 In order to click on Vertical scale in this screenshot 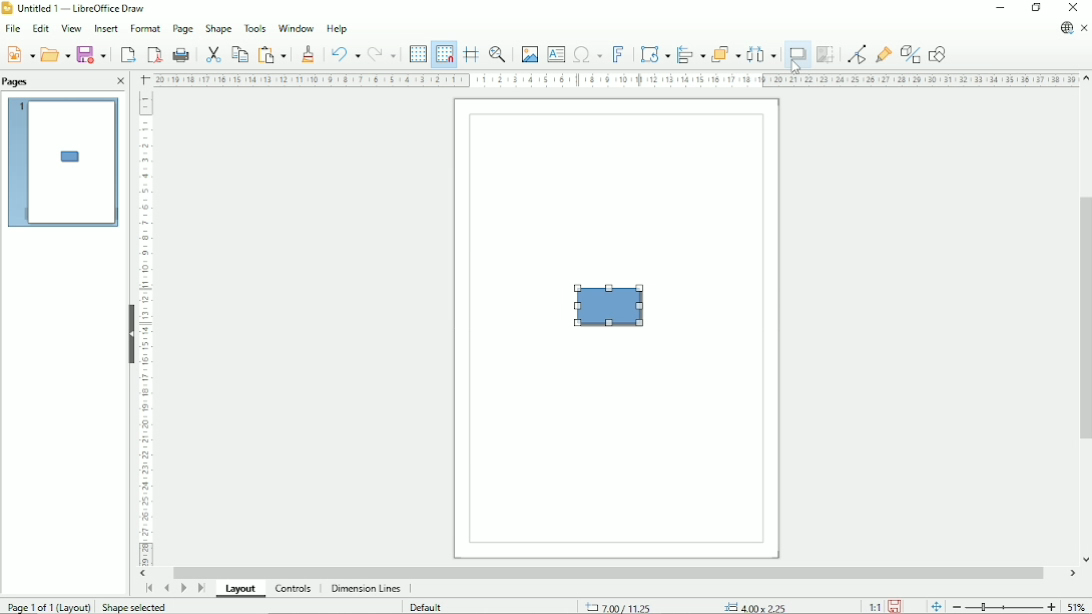, I will do `click(146, 327)`.